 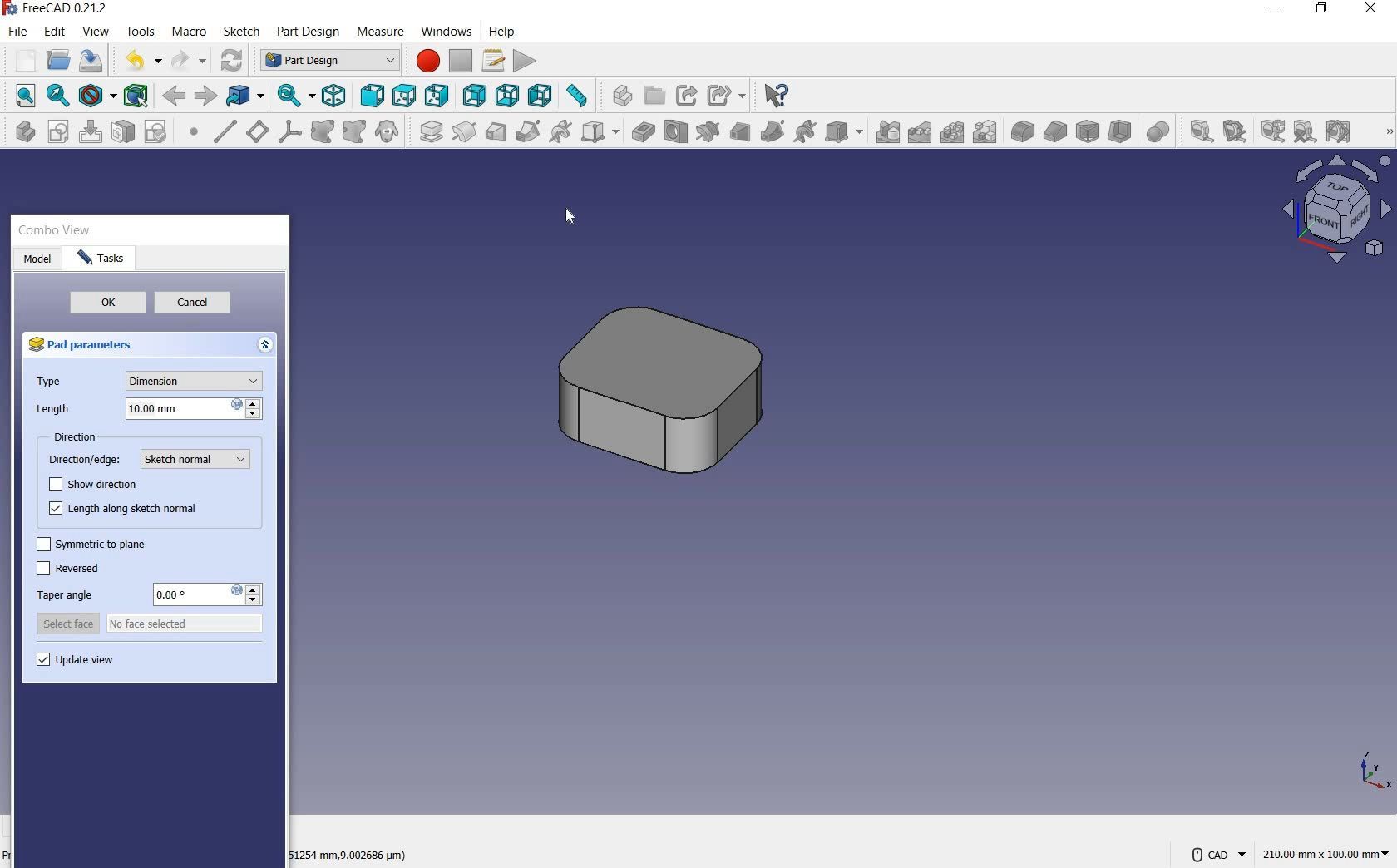 What do you see at coordinates (670, 393) in the screenshot?
I see `pad added` at bounding box center [670, 393].